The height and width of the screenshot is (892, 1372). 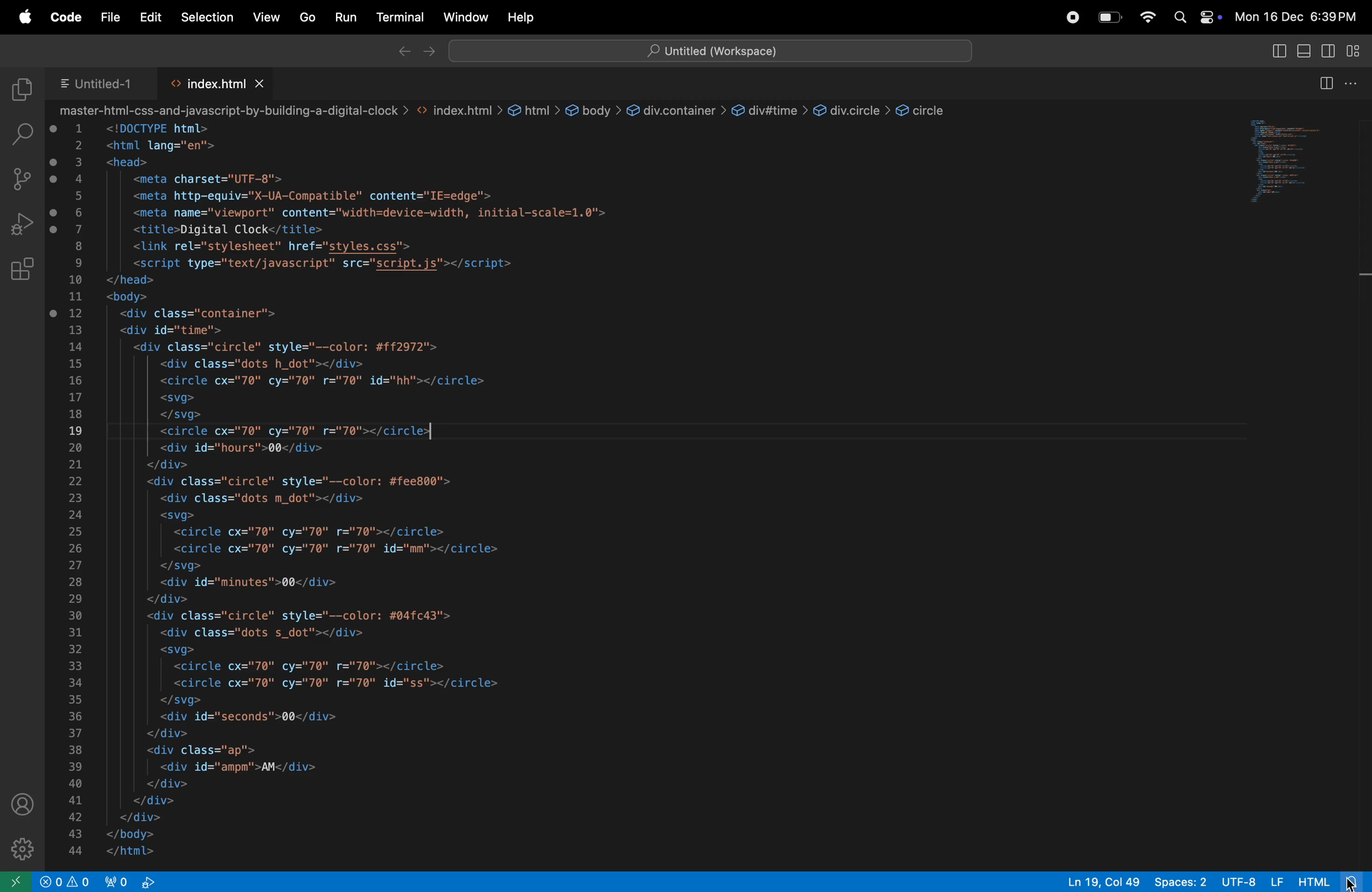 What do you see at coordinates (25, 133) in the screenshot?
I see `search` at bounding box center [25, 133].